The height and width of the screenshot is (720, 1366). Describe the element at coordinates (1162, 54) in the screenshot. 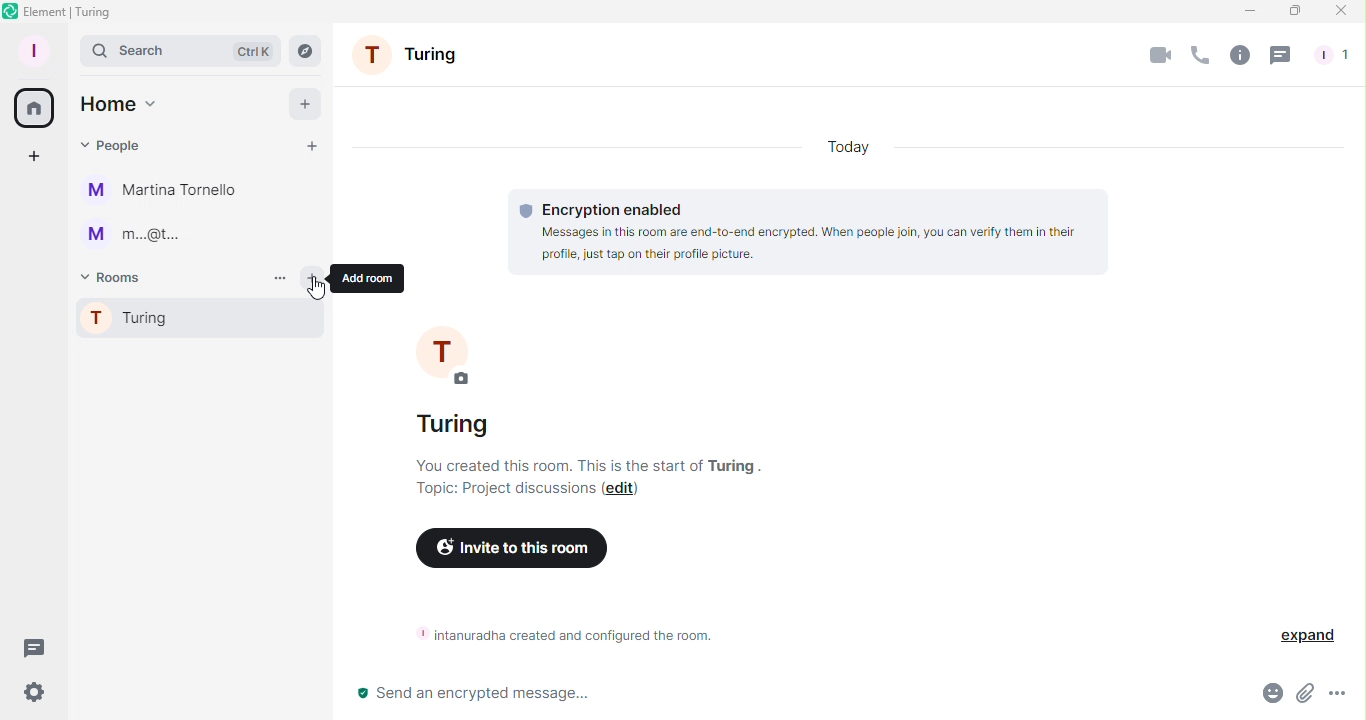

I see `Video call` at that location.